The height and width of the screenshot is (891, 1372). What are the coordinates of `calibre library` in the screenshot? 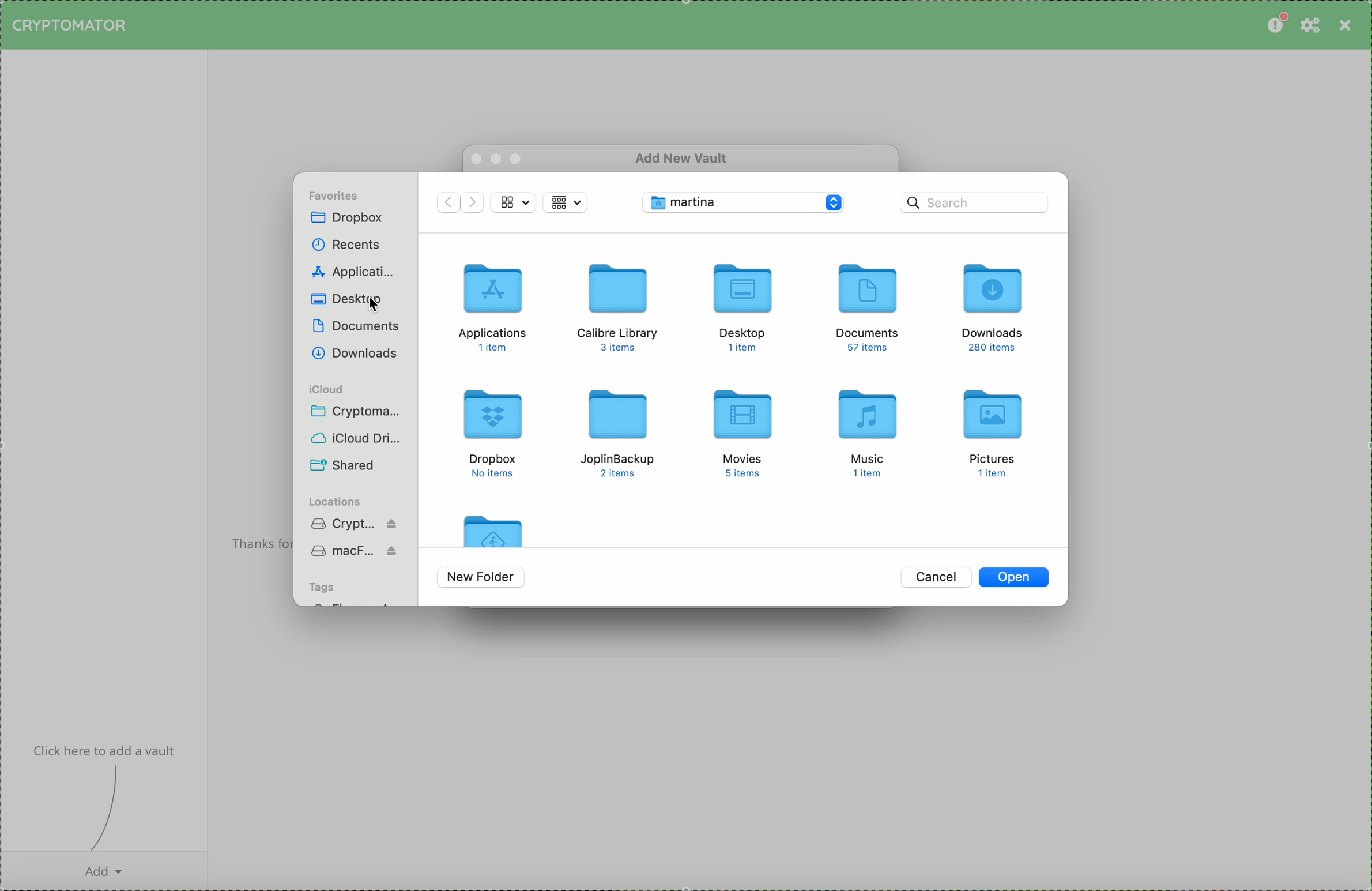 It's located at (617, 308).